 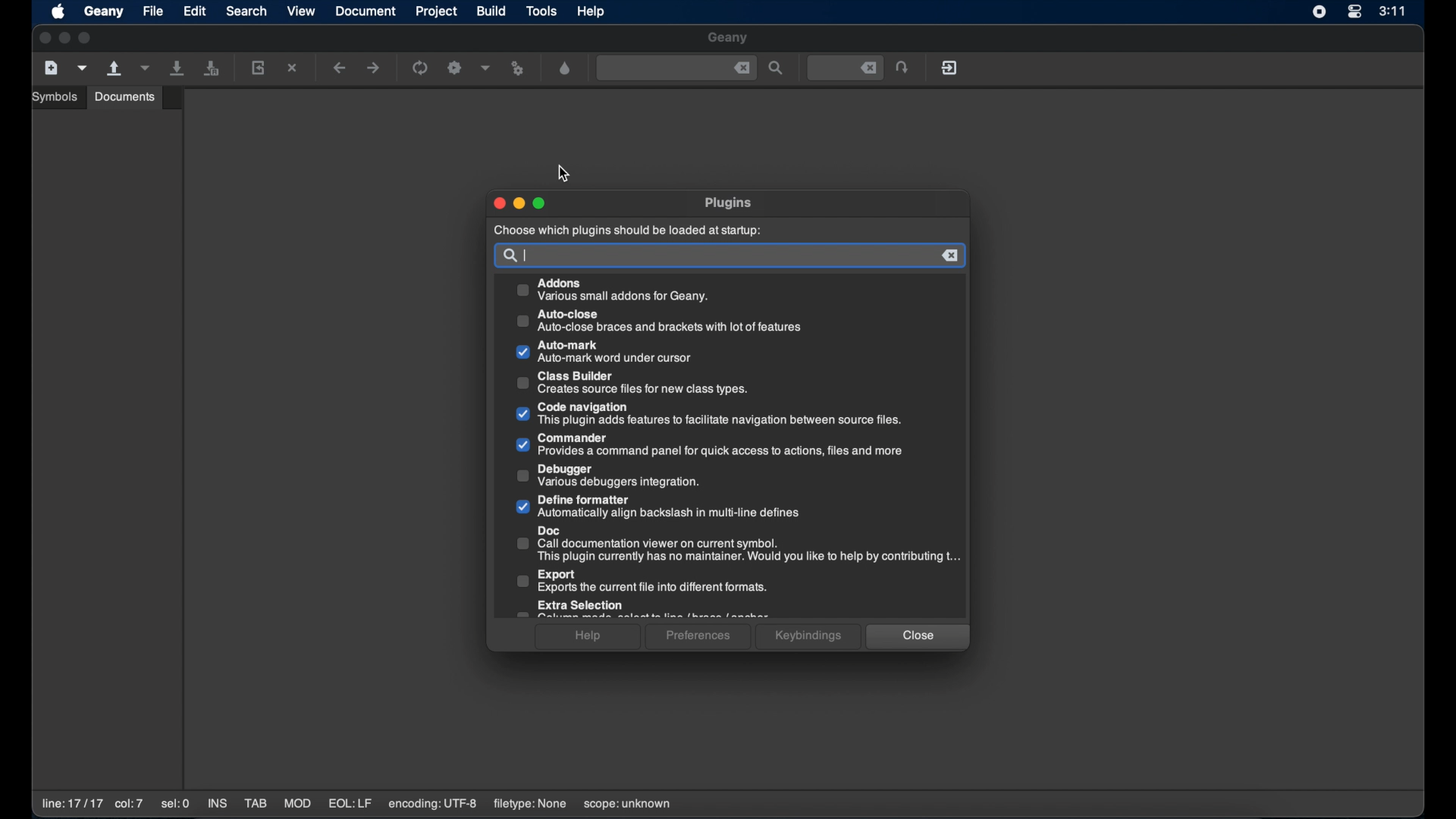 I want to click on Code navigation This plugin adds features to facilitate navigation between source files., so click(x=710, y=415).